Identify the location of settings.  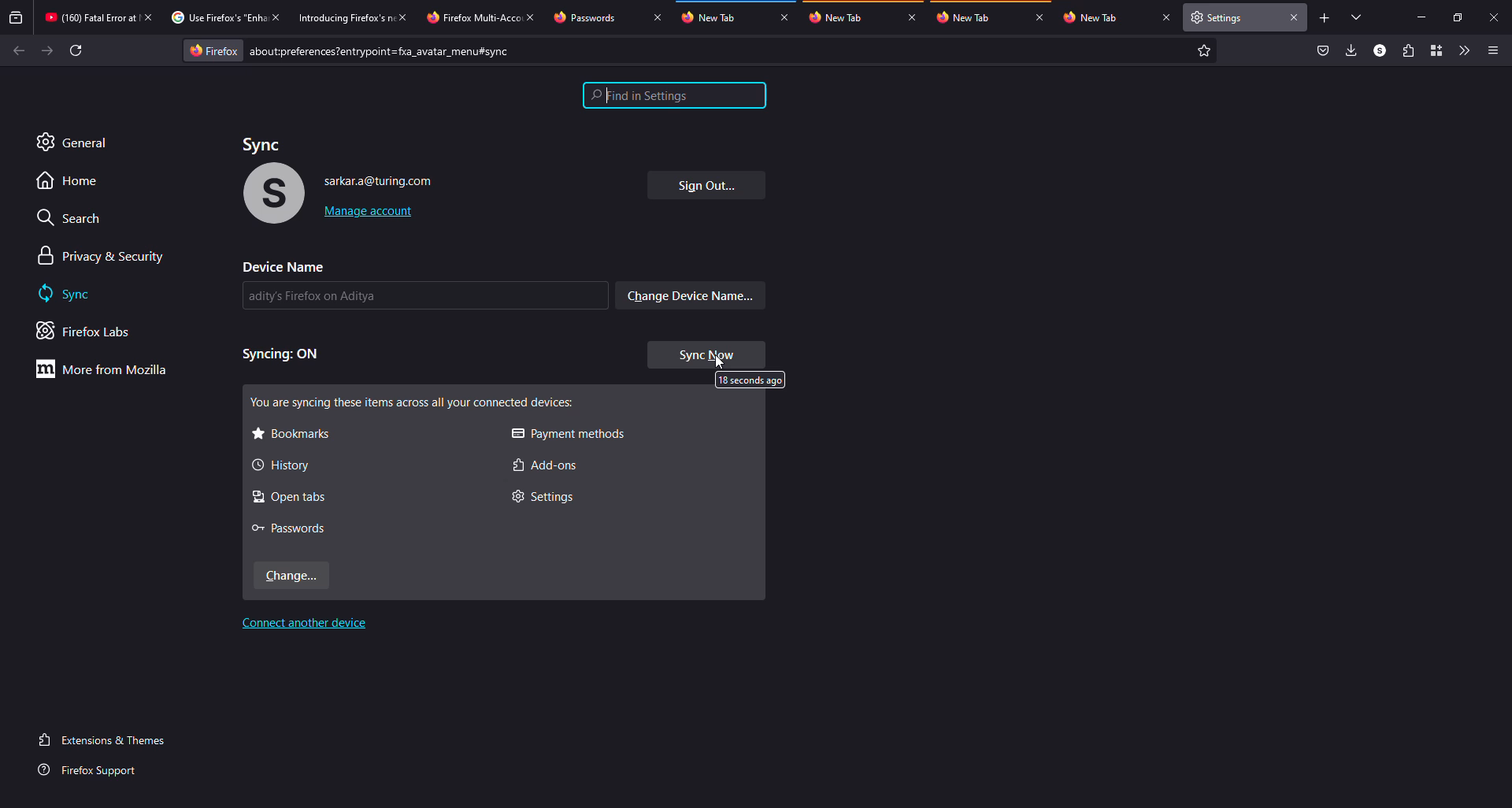
(676, 95).